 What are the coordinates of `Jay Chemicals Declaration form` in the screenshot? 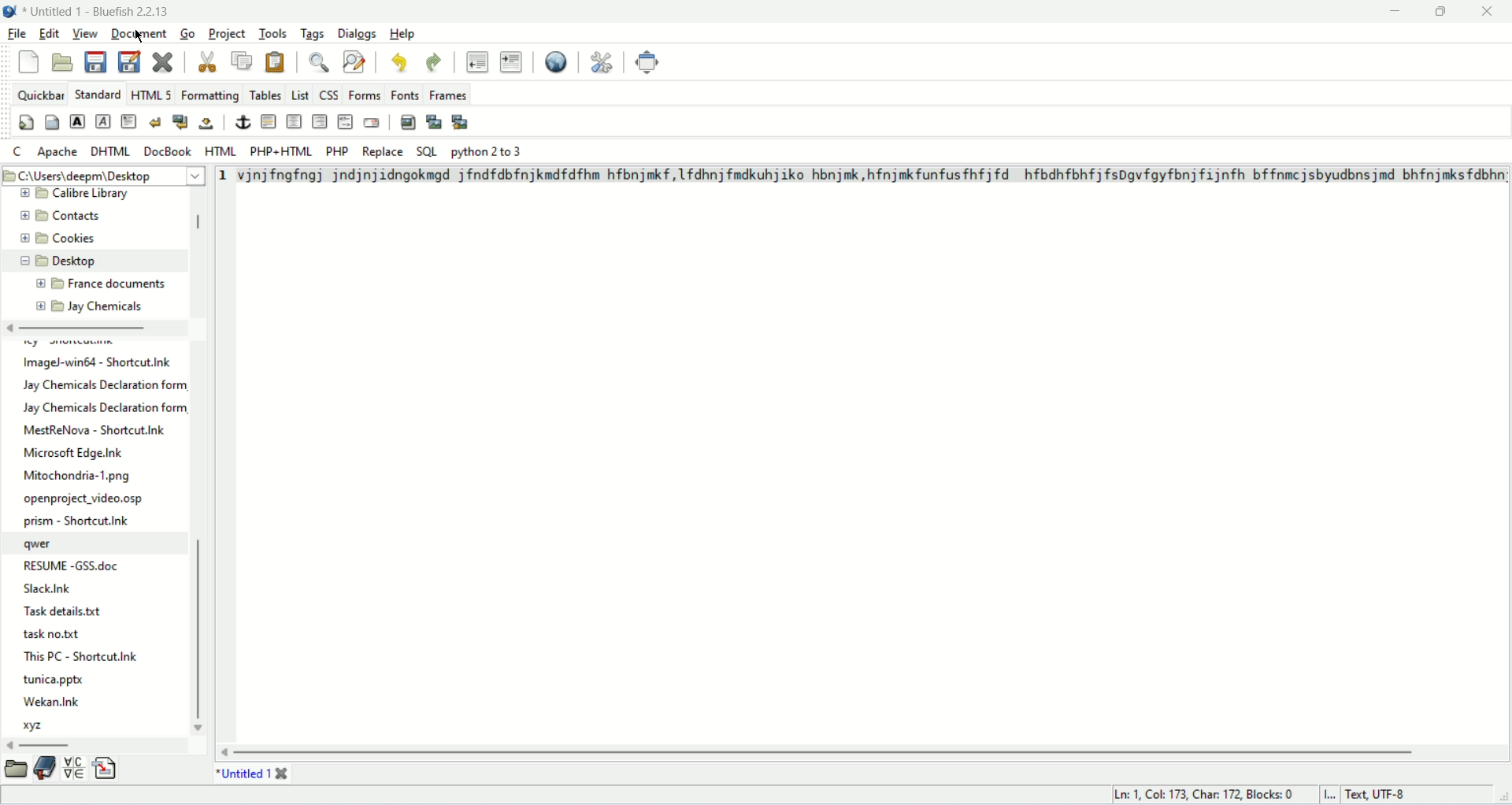 It's located at (108, 384).